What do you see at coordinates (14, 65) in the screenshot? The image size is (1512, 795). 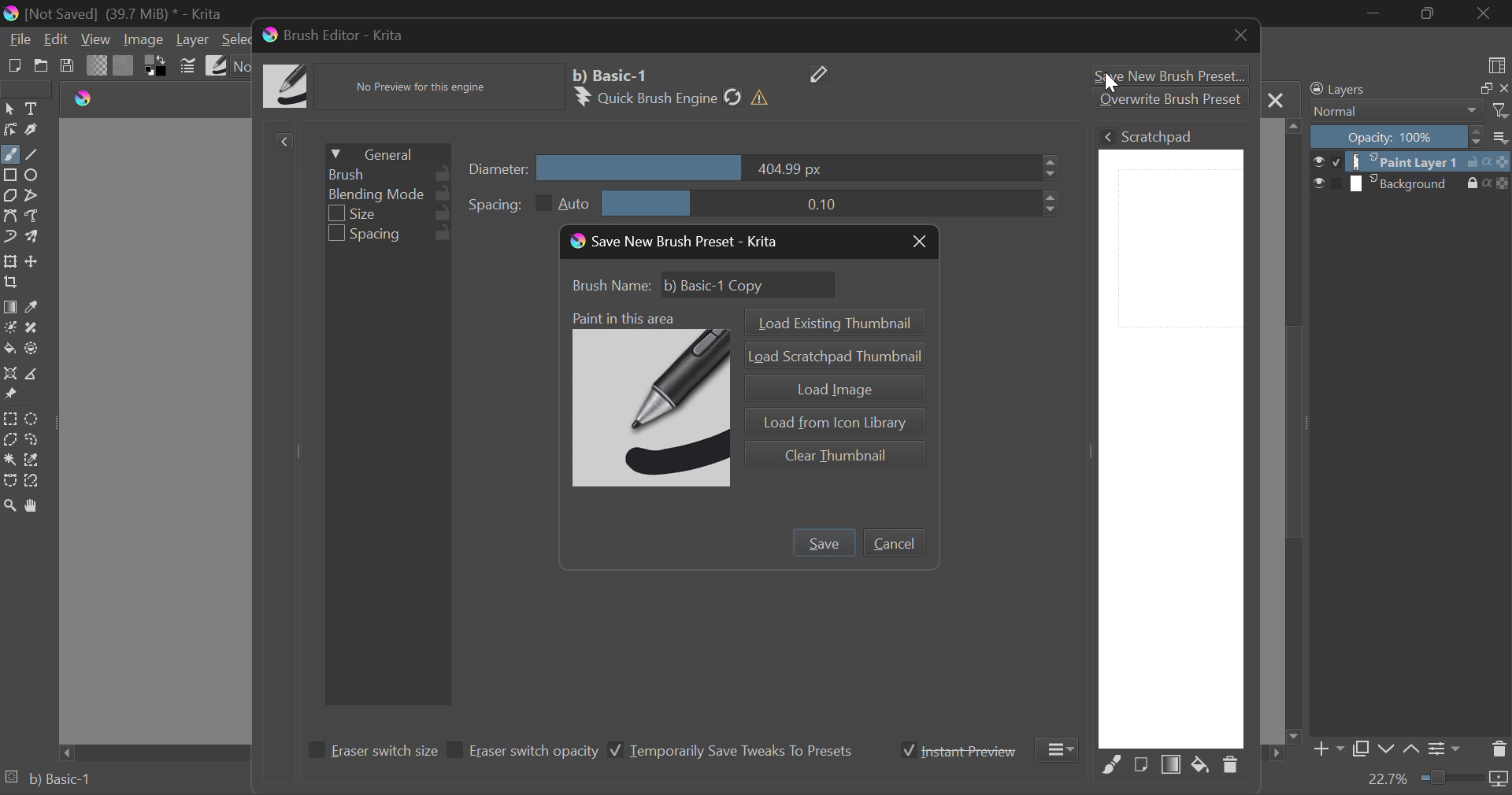 I see `New` at bounding box center [14, 65].